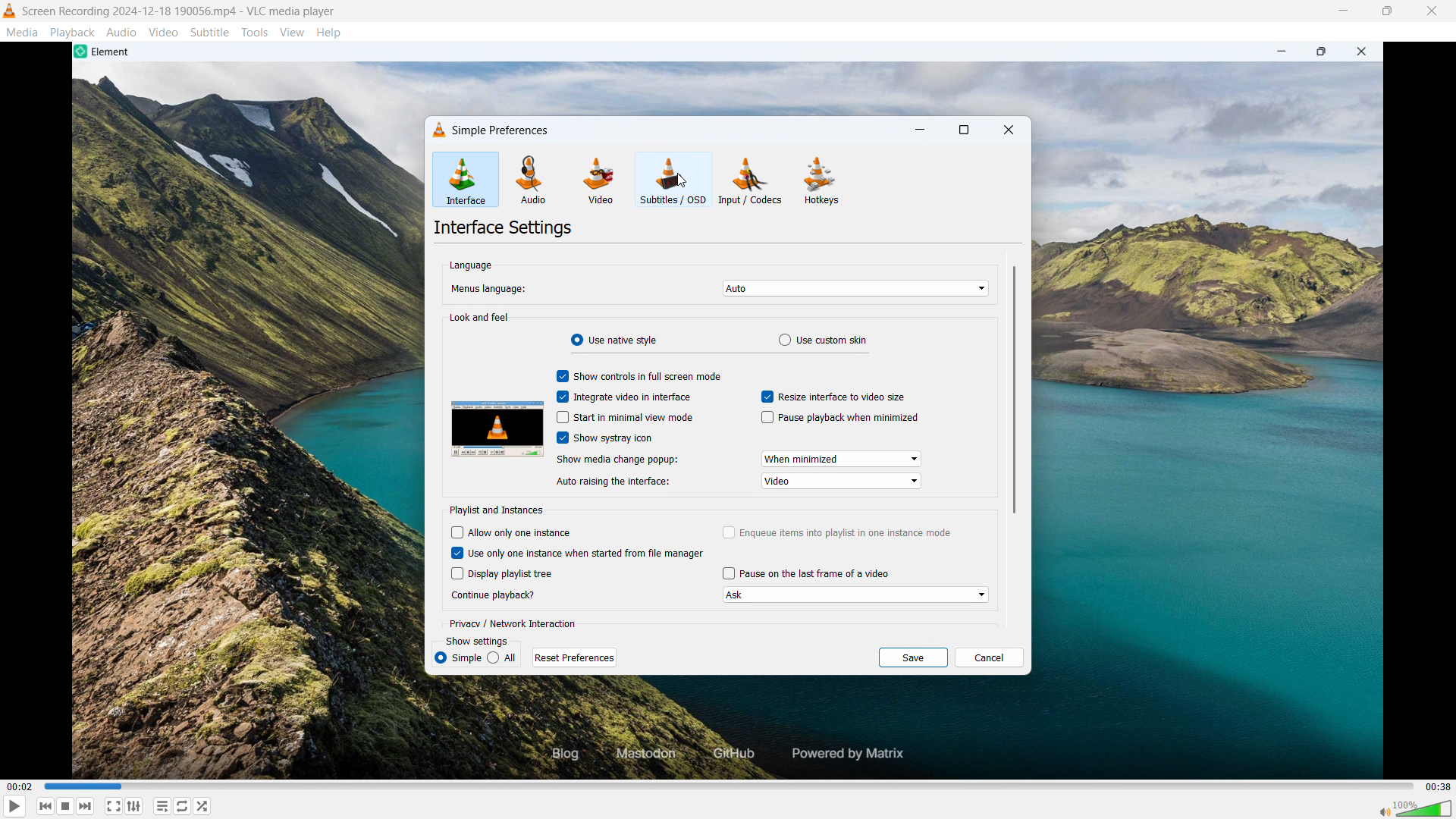 This screenshot has height=819, width=1456. I want to click on time bar, so click(730, 786).